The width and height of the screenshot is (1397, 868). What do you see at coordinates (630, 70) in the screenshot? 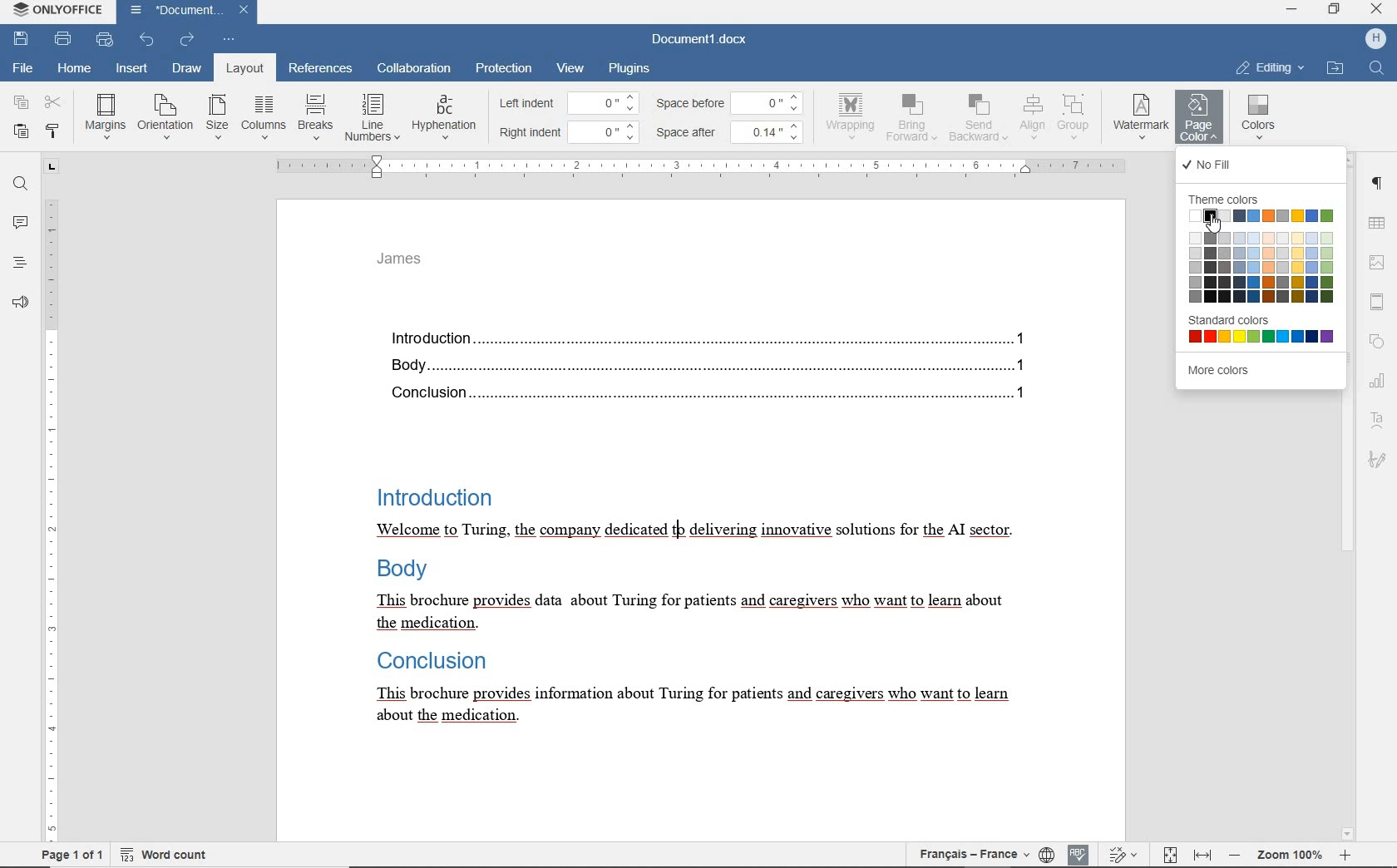
I see `plugins` at bounding box center [630, 70].